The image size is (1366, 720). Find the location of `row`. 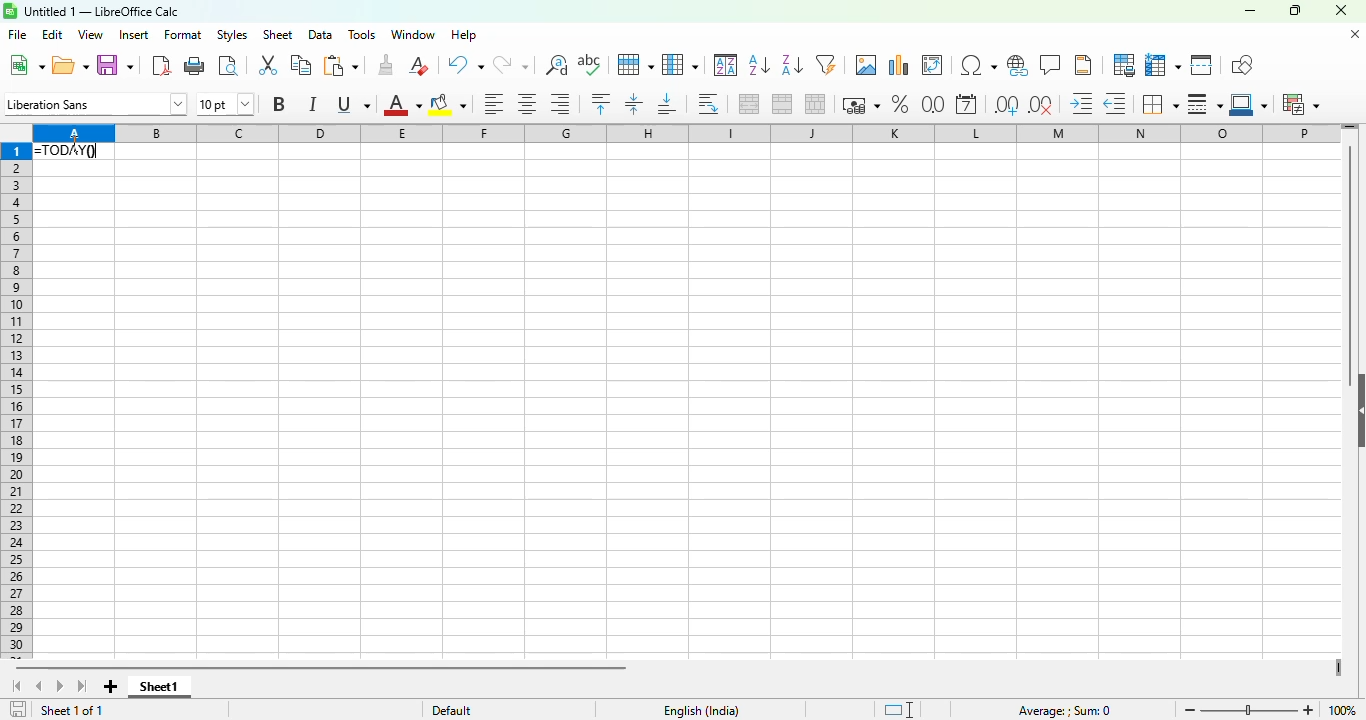

row is located at coordinates (634, 65).